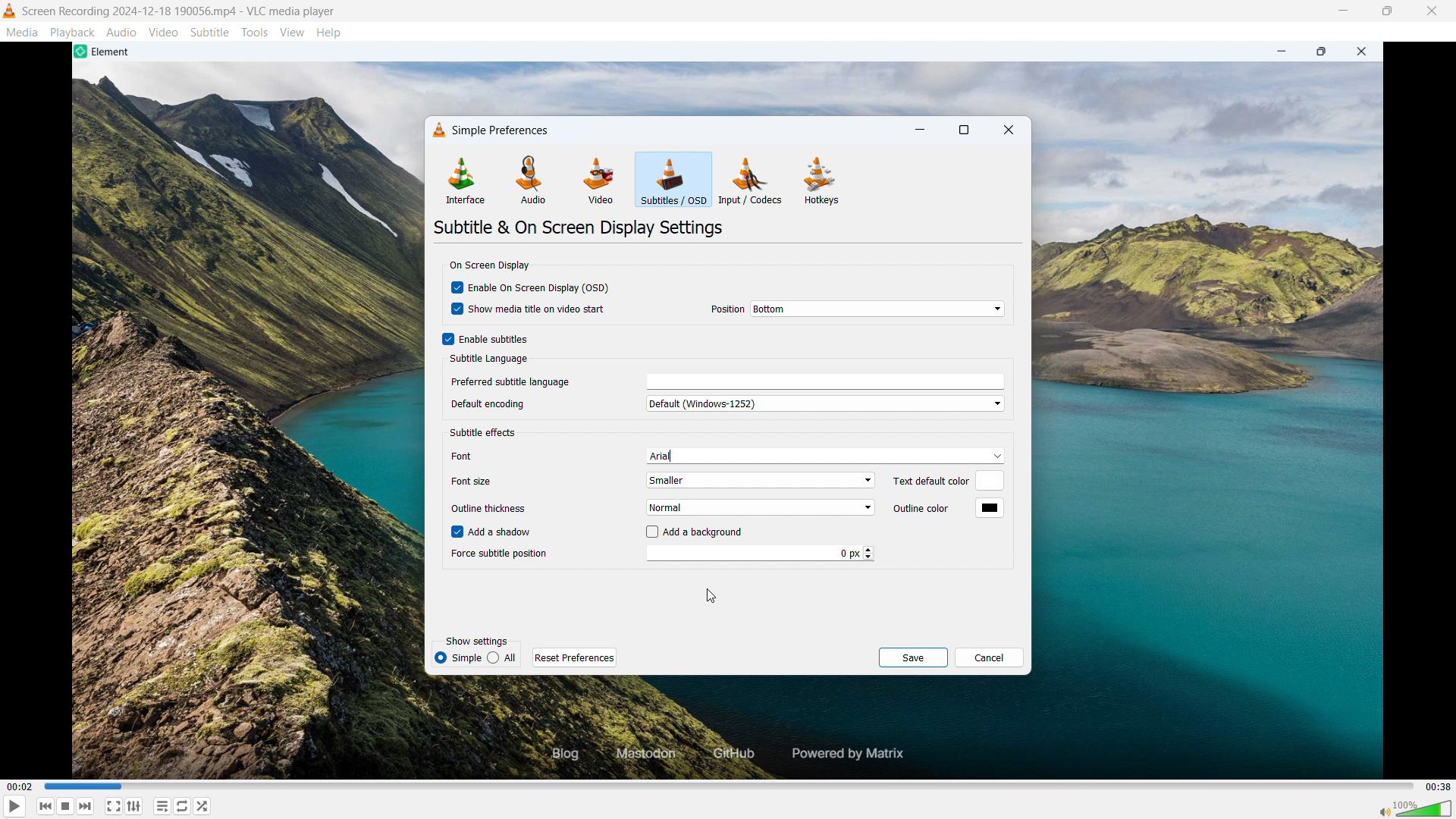 This screenshot has height=819, width=1456. Describe the element at coordinates (20, 787) in the screenshot. I see `time elapsed` at that location.